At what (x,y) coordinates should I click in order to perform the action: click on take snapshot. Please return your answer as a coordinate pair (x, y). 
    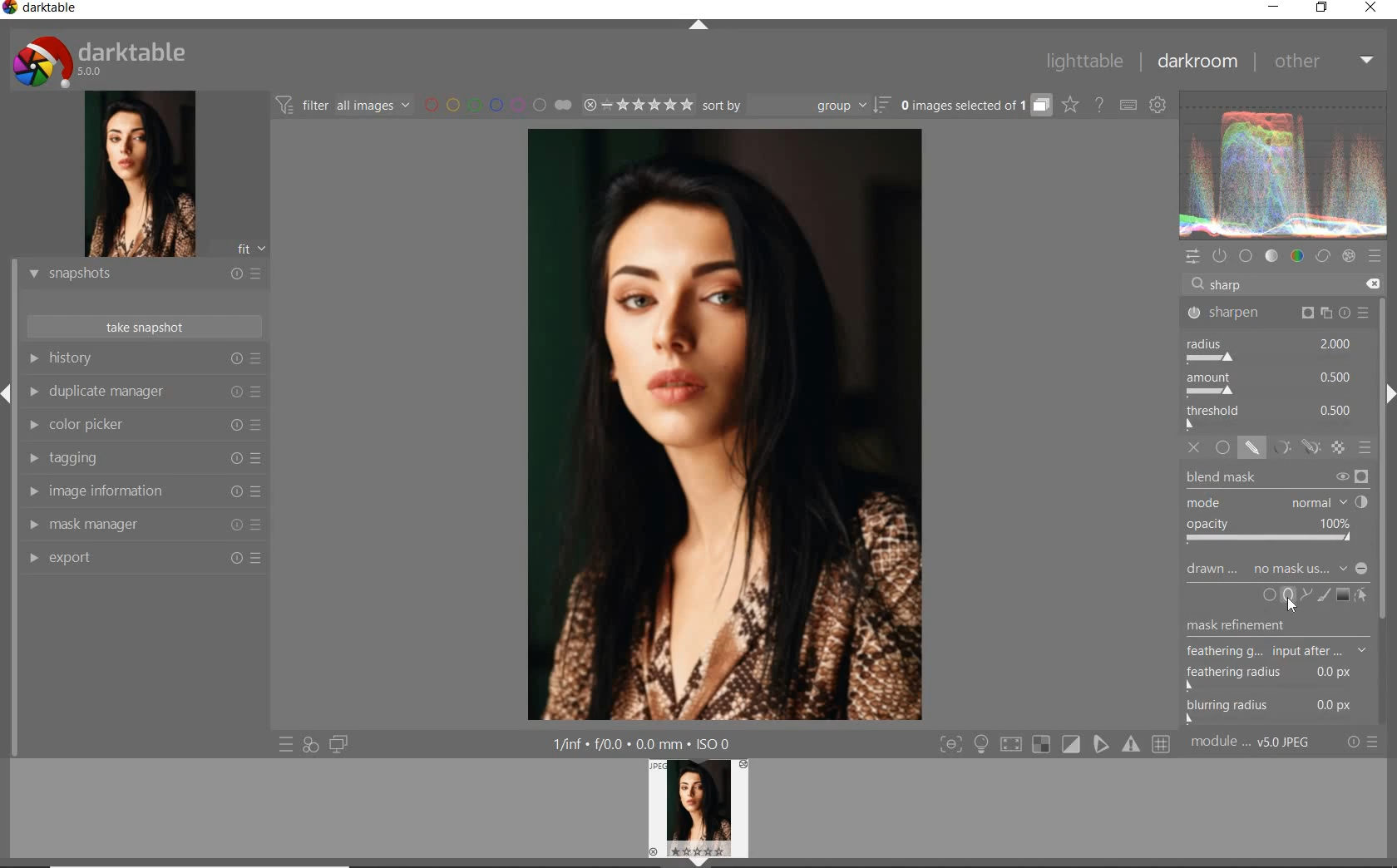
    Looking at the image, I should click on (143, 328).